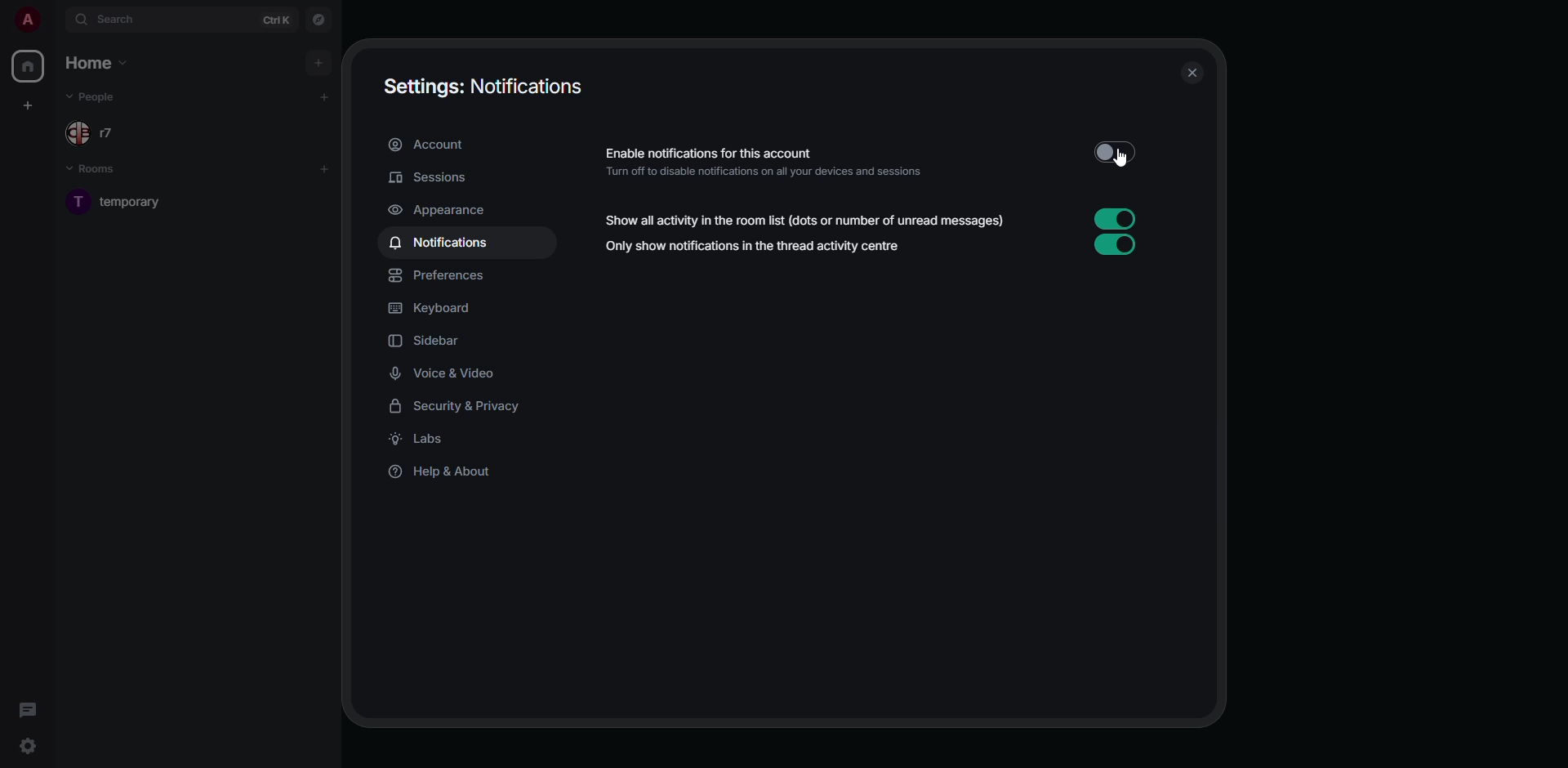  I want to click on notifications, so click(443, 243).